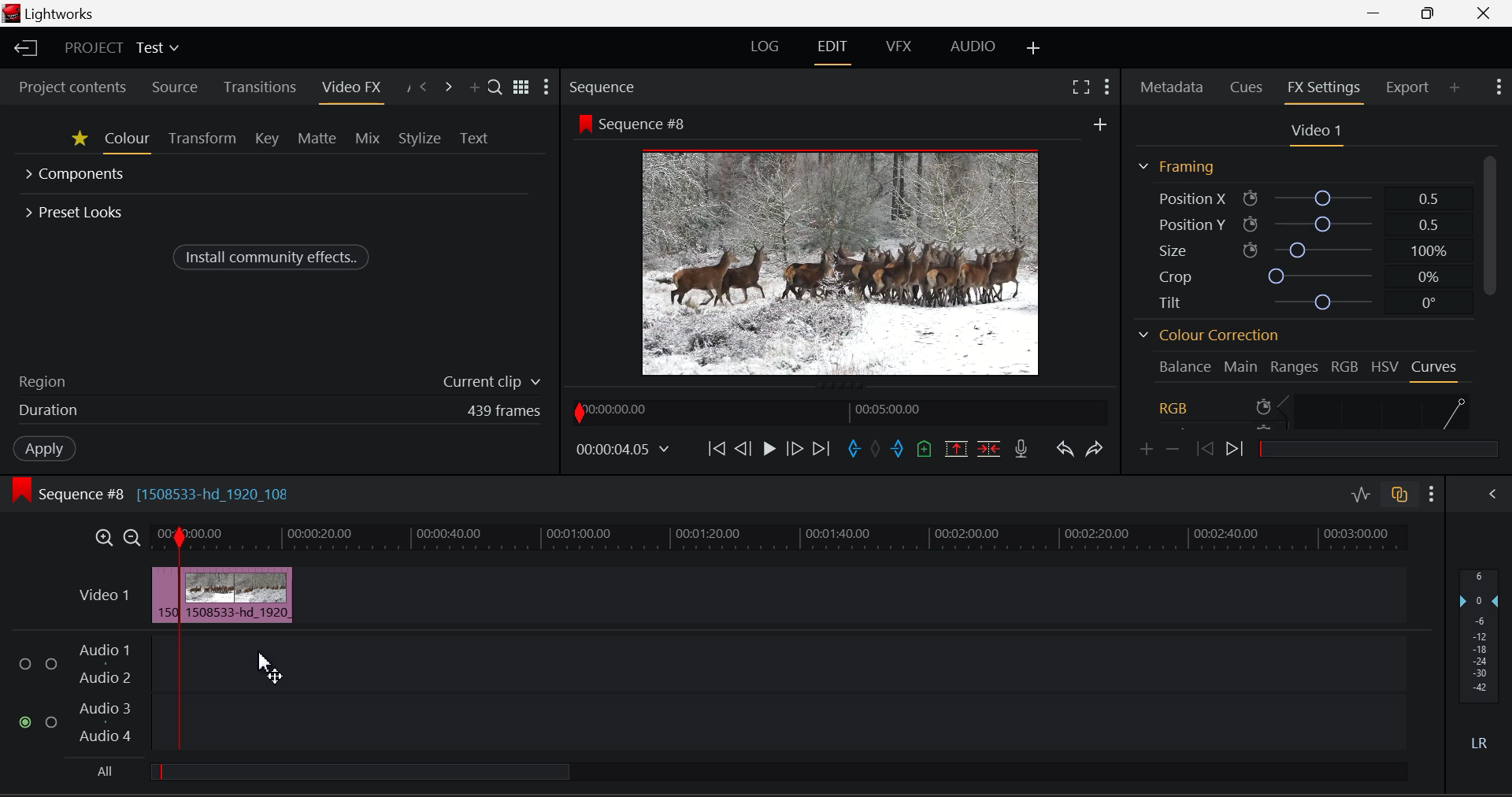 Image resolution: width=1512 pixels, height=797 pixels. I want to click on Project Timeline Navigator, so click(840, 411).